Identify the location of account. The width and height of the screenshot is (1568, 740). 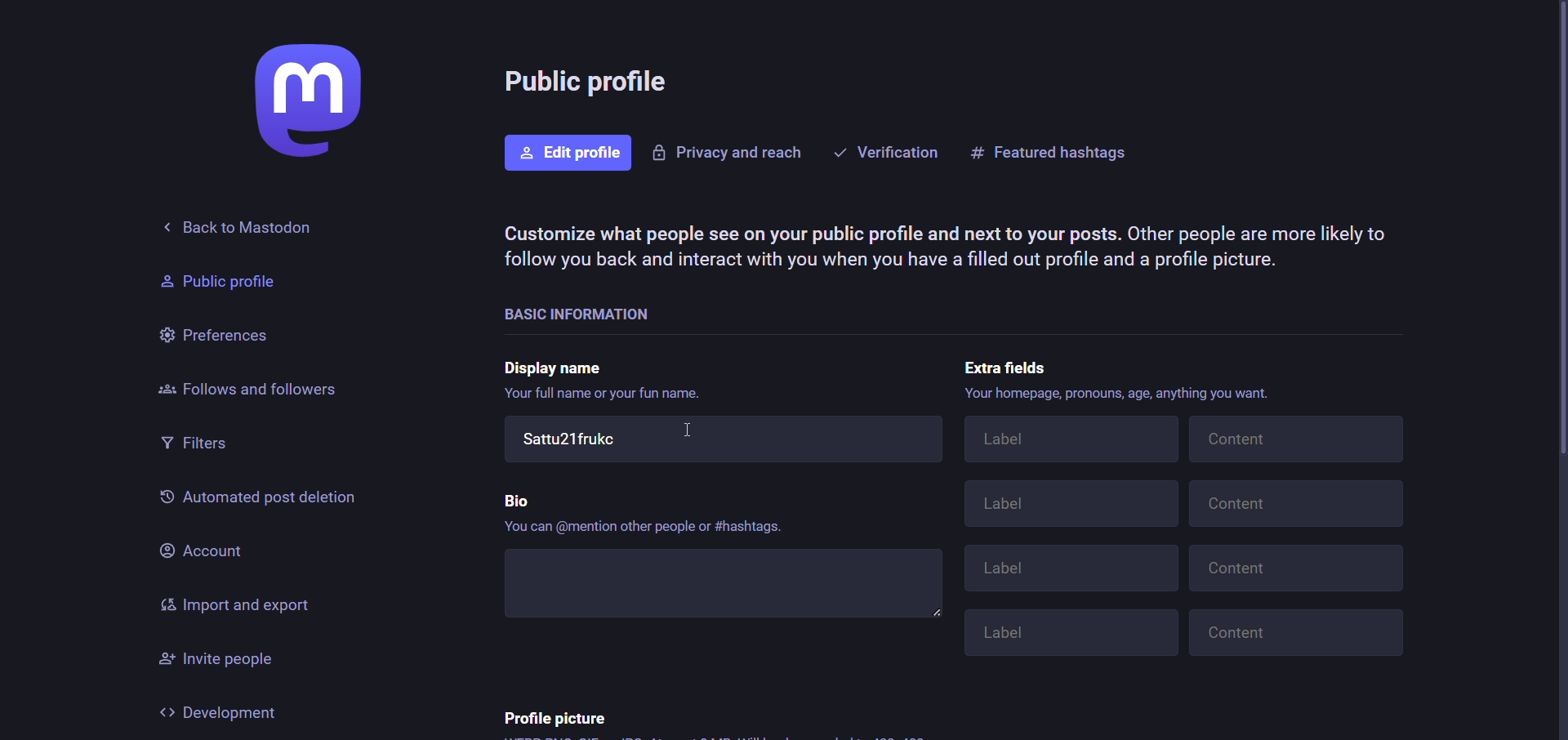
(201, 549).